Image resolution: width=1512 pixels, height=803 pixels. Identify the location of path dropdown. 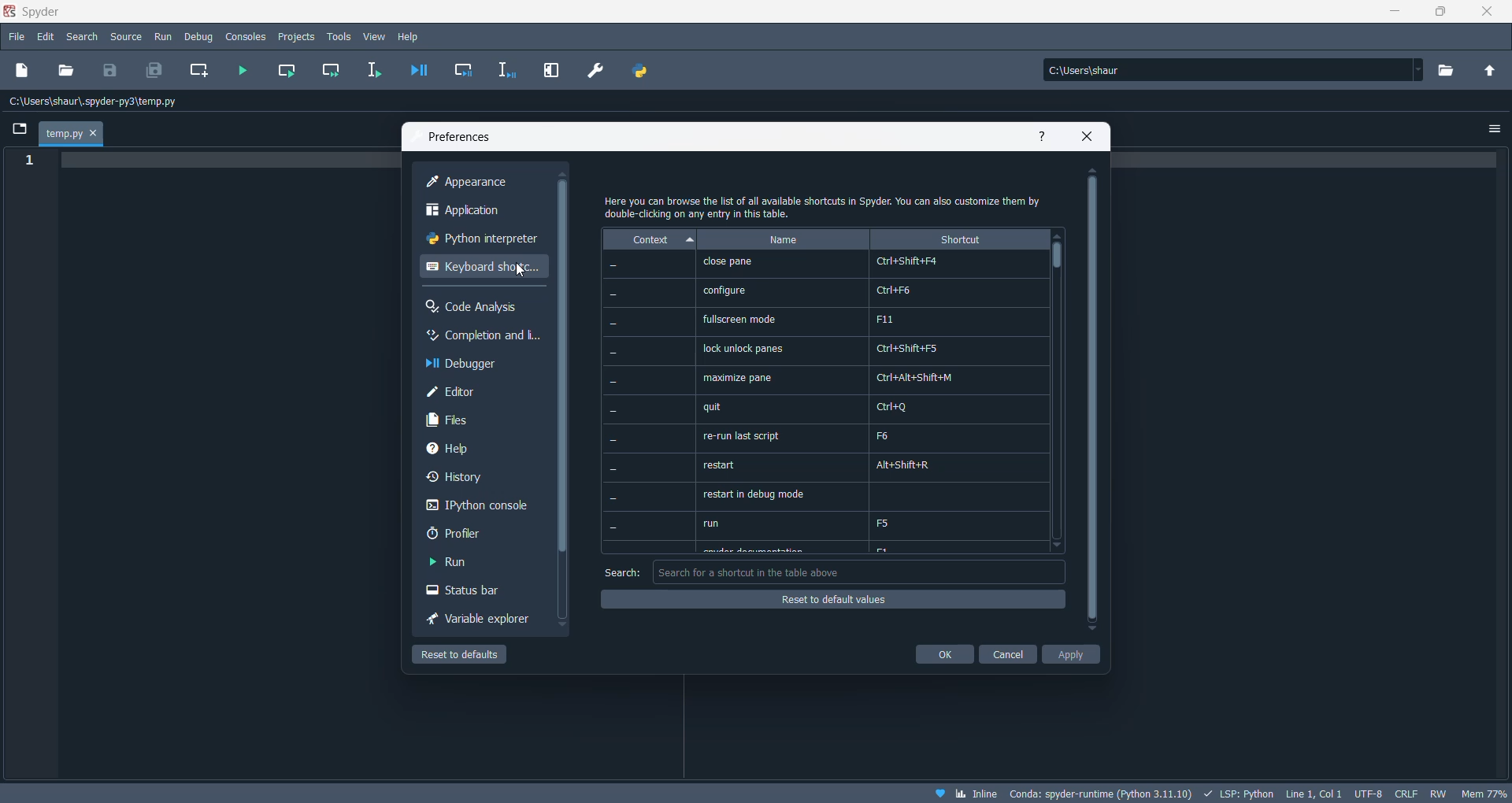
(1419, 70).